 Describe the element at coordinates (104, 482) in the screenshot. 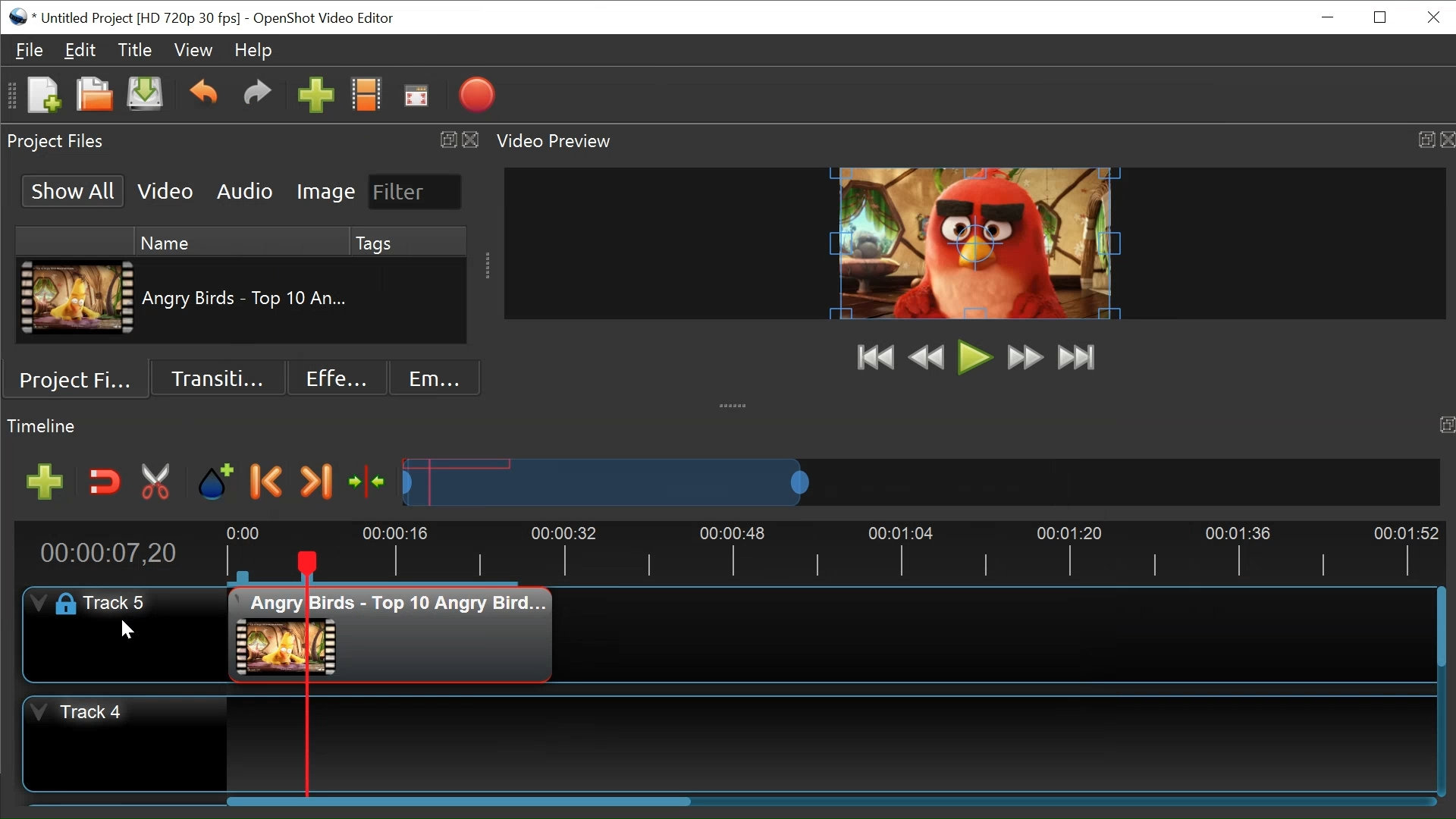

I see `Snap` at that location.